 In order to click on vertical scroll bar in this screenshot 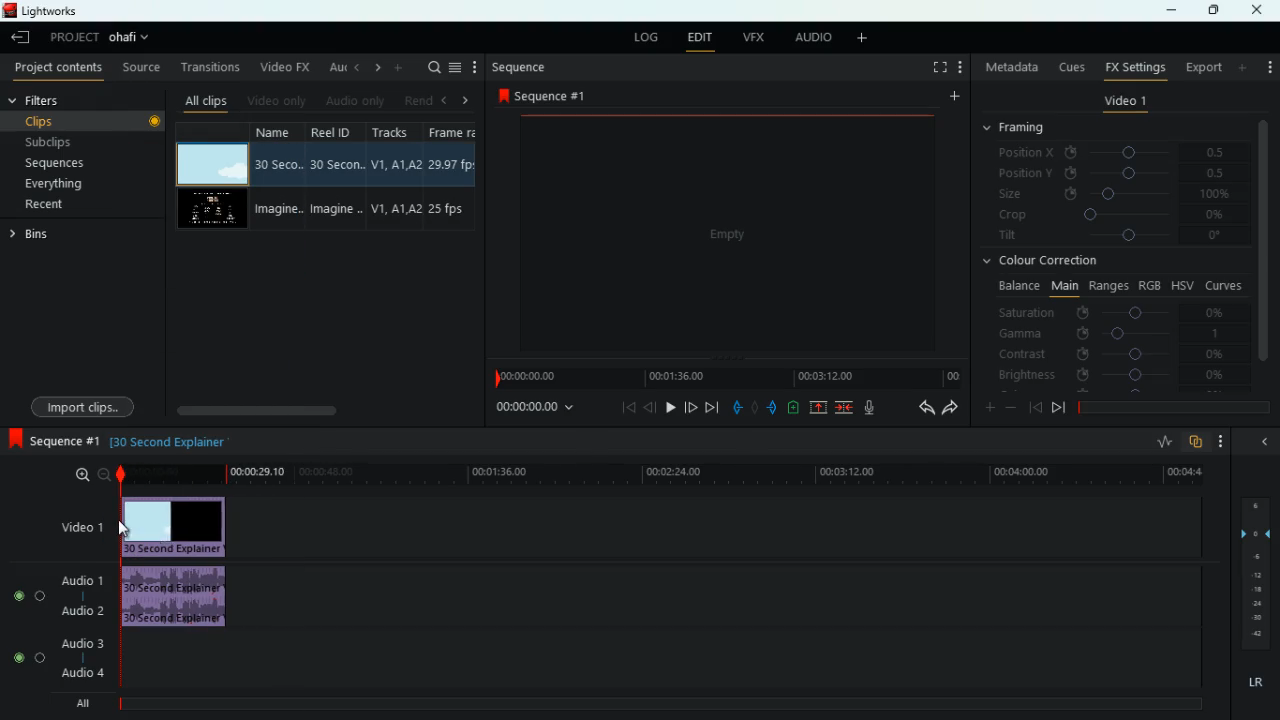, I will do `click(1264, 239)`.